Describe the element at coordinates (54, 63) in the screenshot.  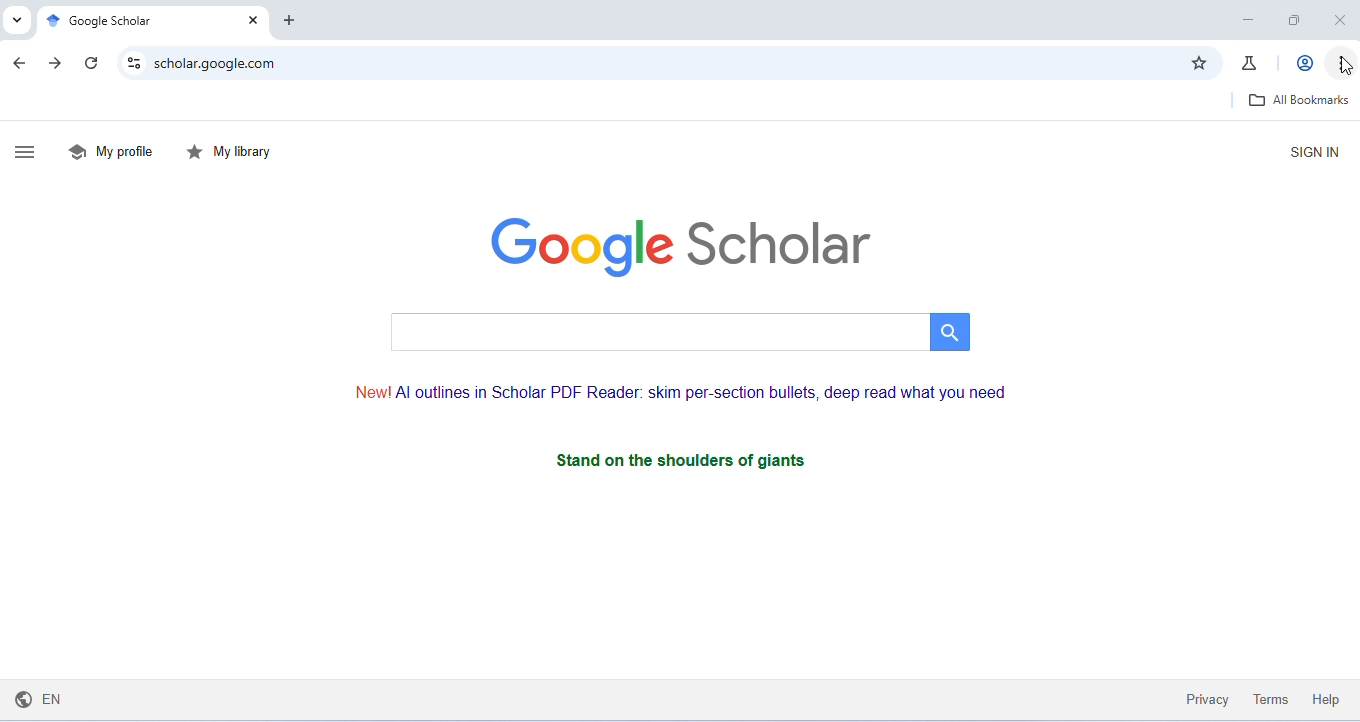
I see `go forward` at that location.